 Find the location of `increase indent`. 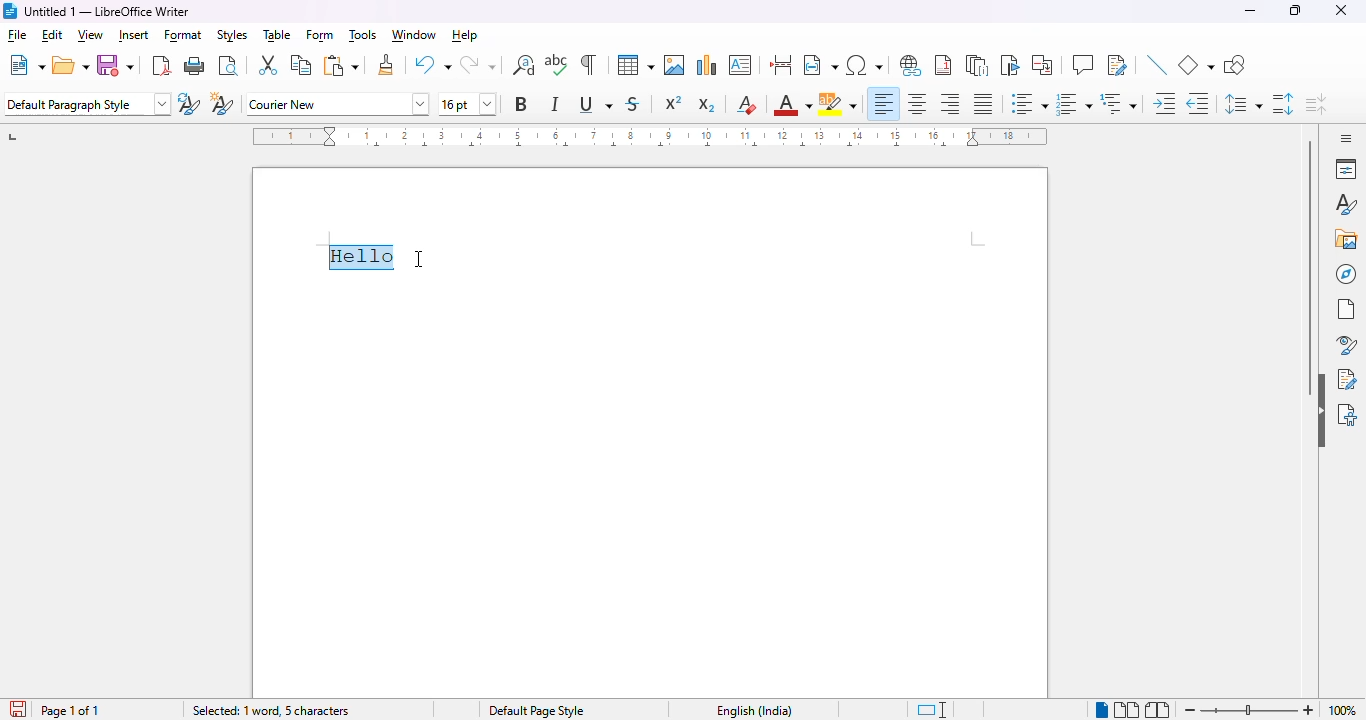

increase indent is located at coordinates (1165, 104).